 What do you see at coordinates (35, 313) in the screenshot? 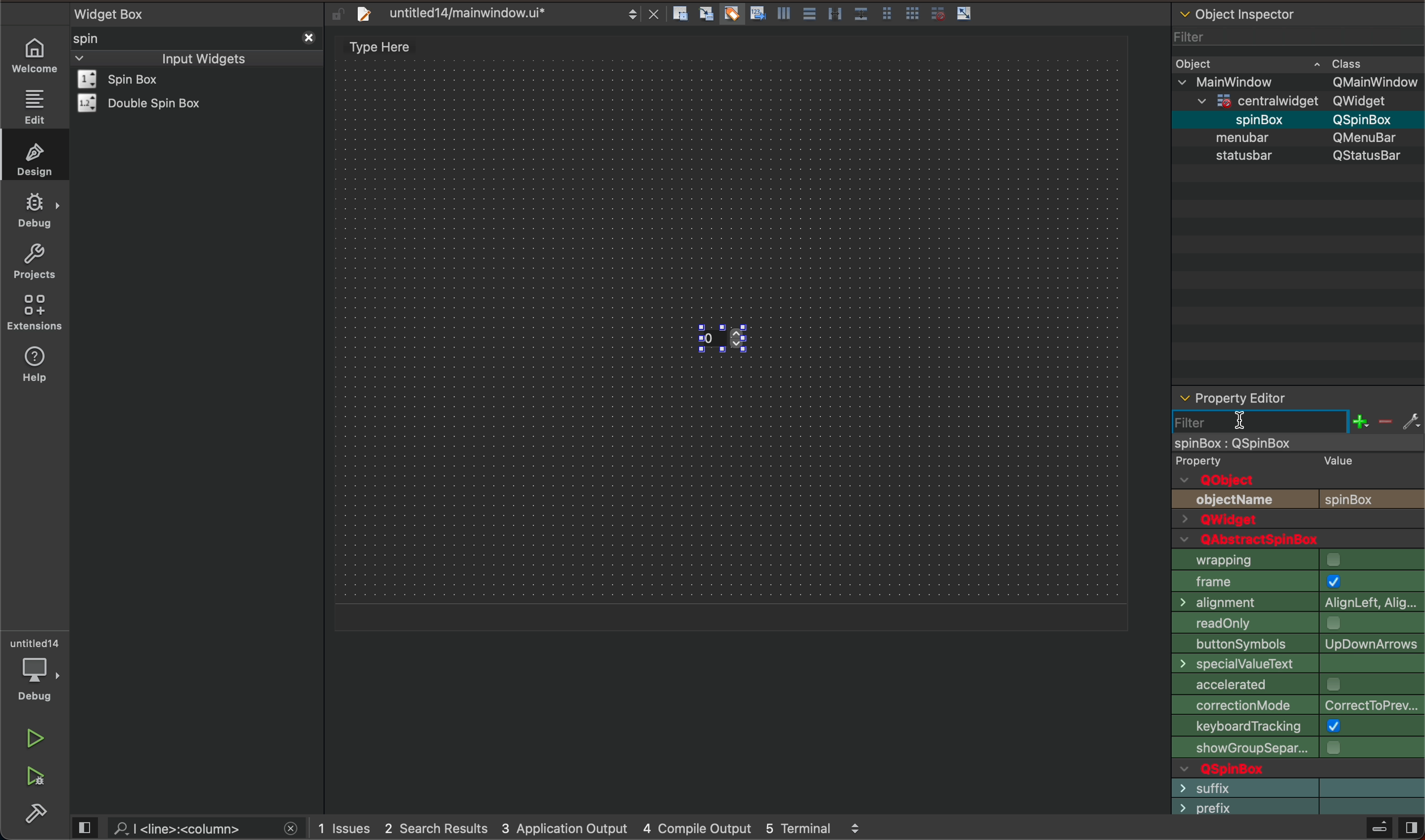
I see `extension` at bounding box center [35, 313].